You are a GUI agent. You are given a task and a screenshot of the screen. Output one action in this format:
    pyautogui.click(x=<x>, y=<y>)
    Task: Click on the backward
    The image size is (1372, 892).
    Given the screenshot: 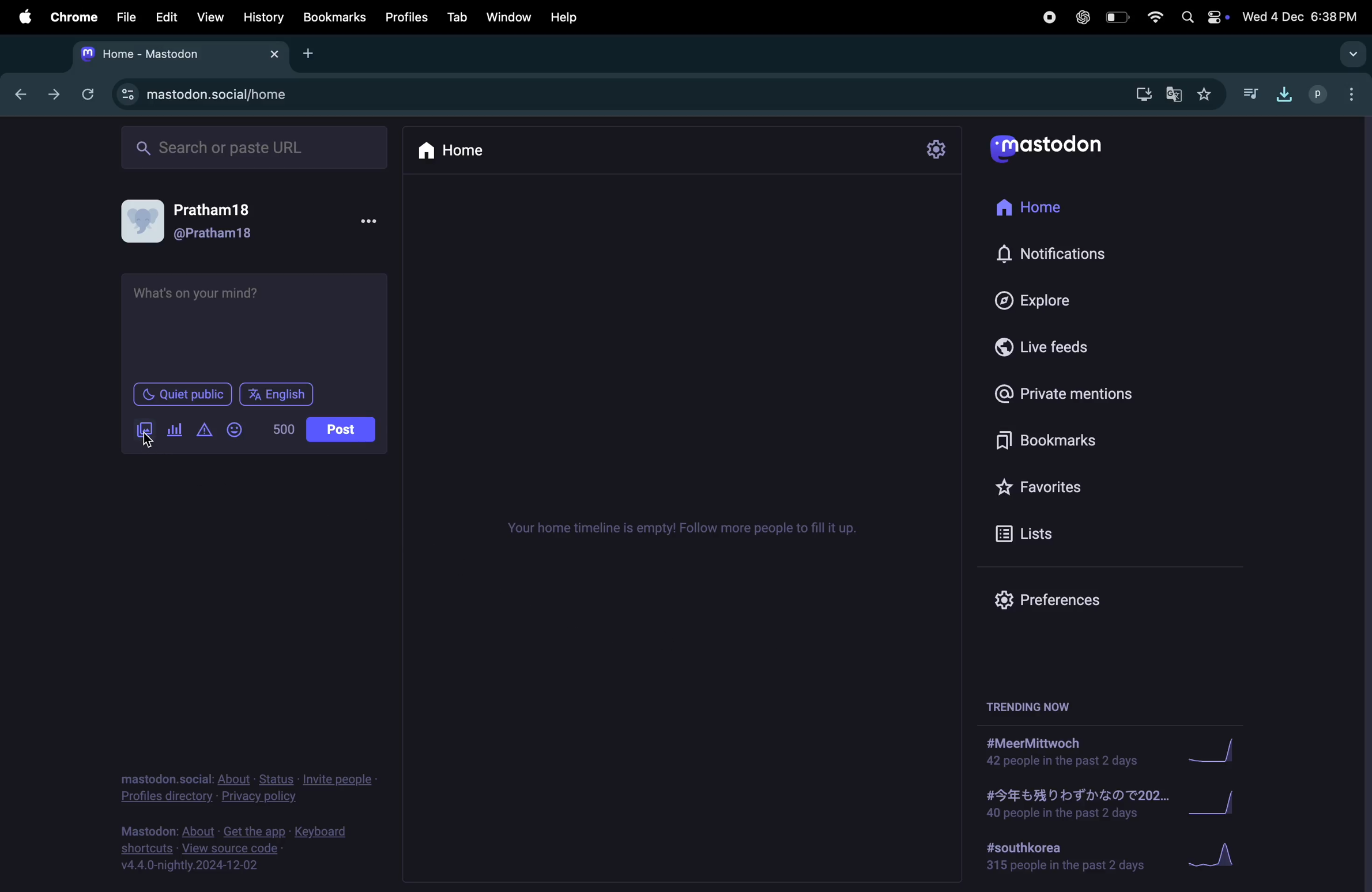 What is the action you would take?
    pyautogui.click(x=16, y=96)
    